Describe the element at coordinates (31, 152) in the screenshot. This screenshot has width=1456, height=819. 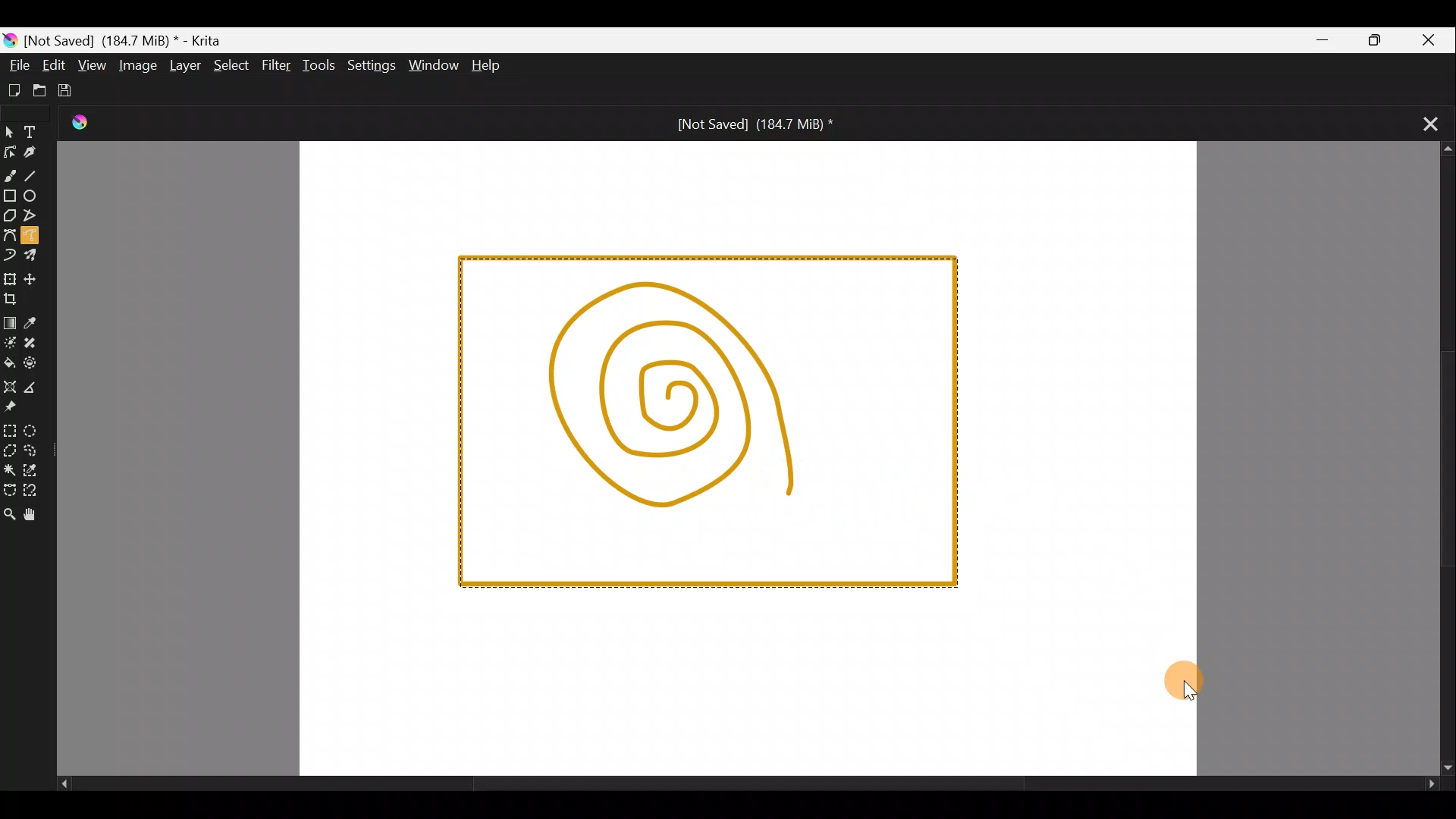
I see `Calligraphy` at that location.